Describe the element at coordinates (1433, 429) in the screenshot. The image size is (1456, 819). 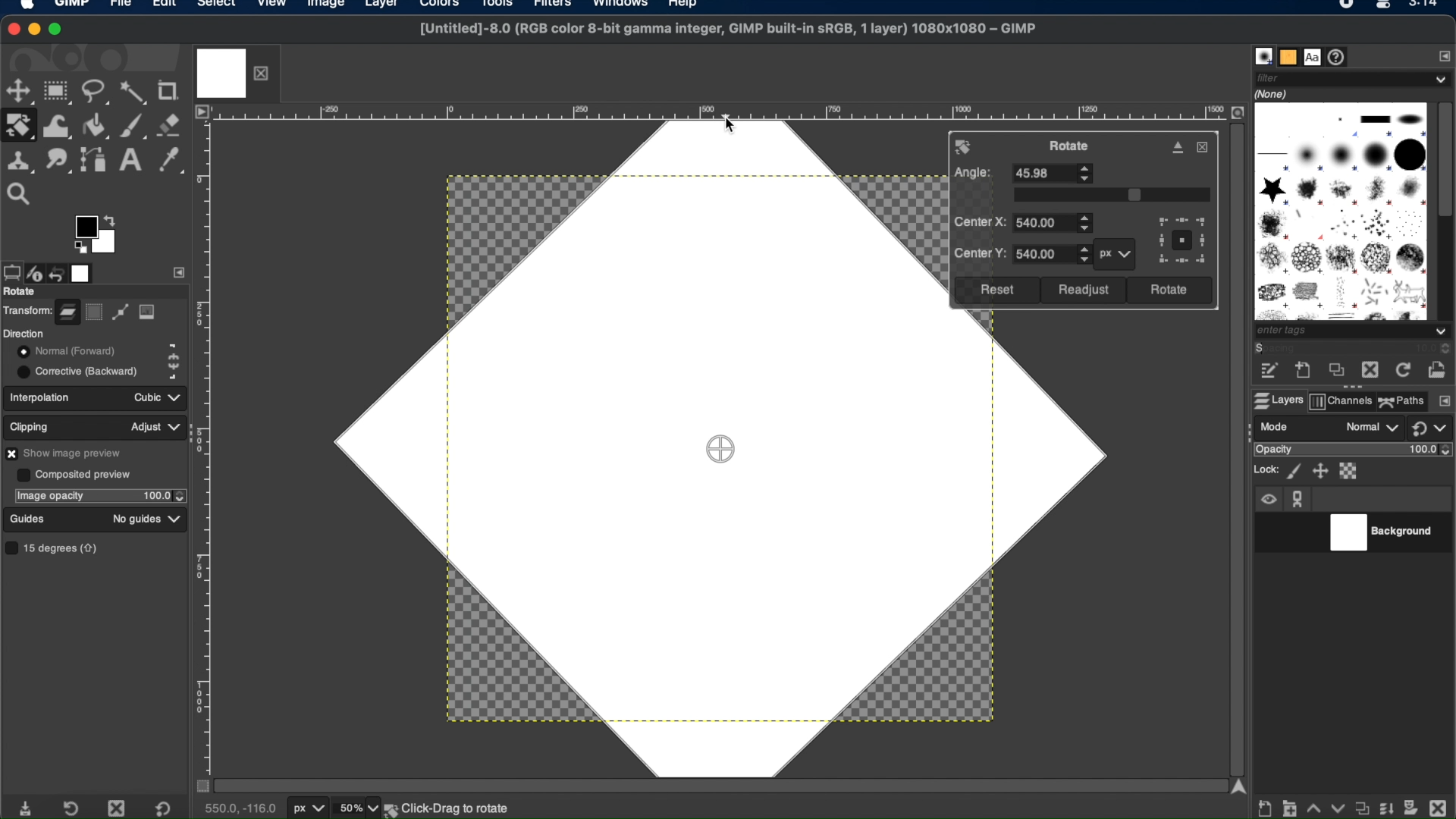
I see `switch to another group of modes` at that location.